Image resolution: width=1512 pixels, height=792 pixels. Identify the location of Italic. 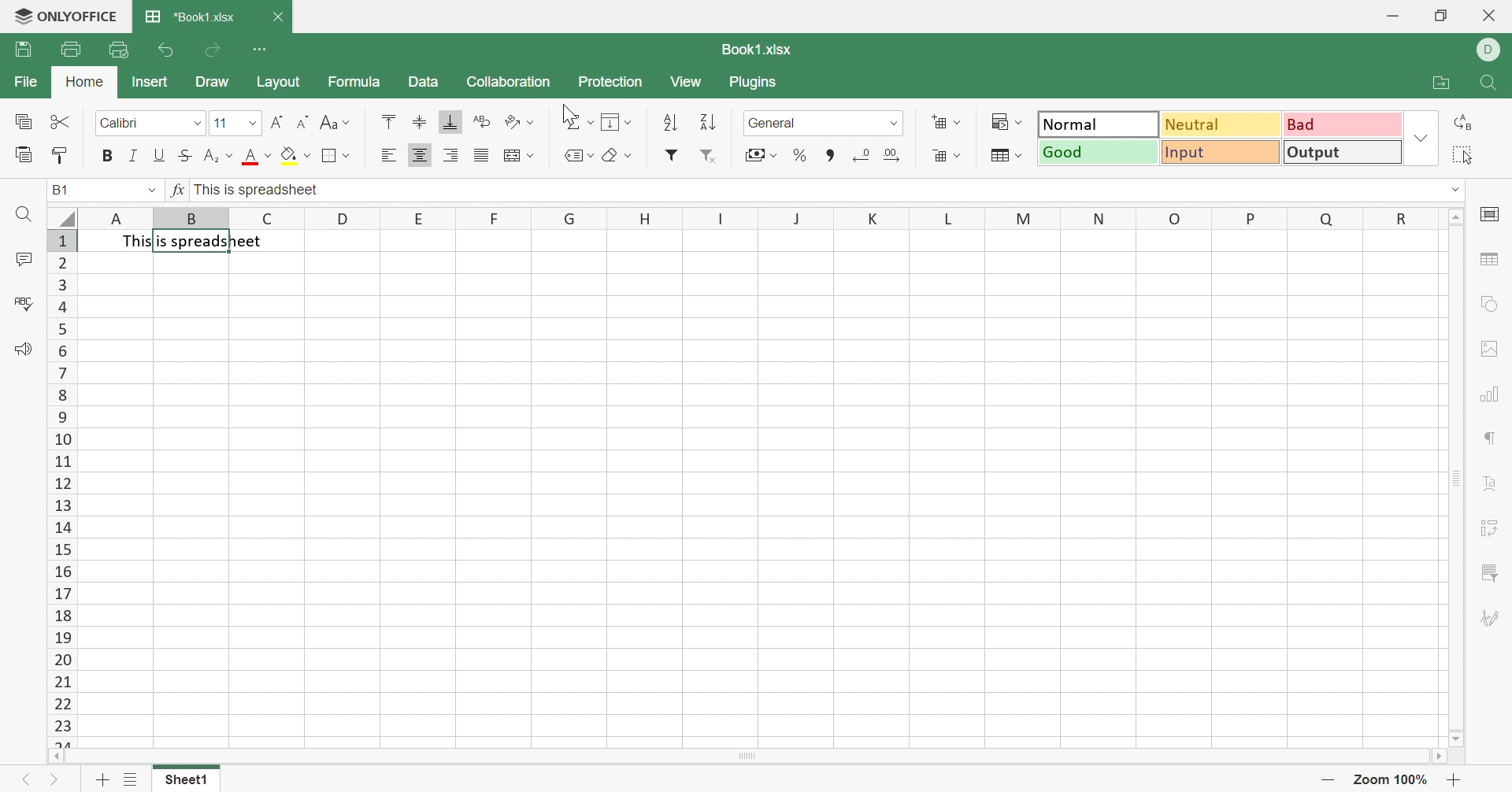
(135, 155).